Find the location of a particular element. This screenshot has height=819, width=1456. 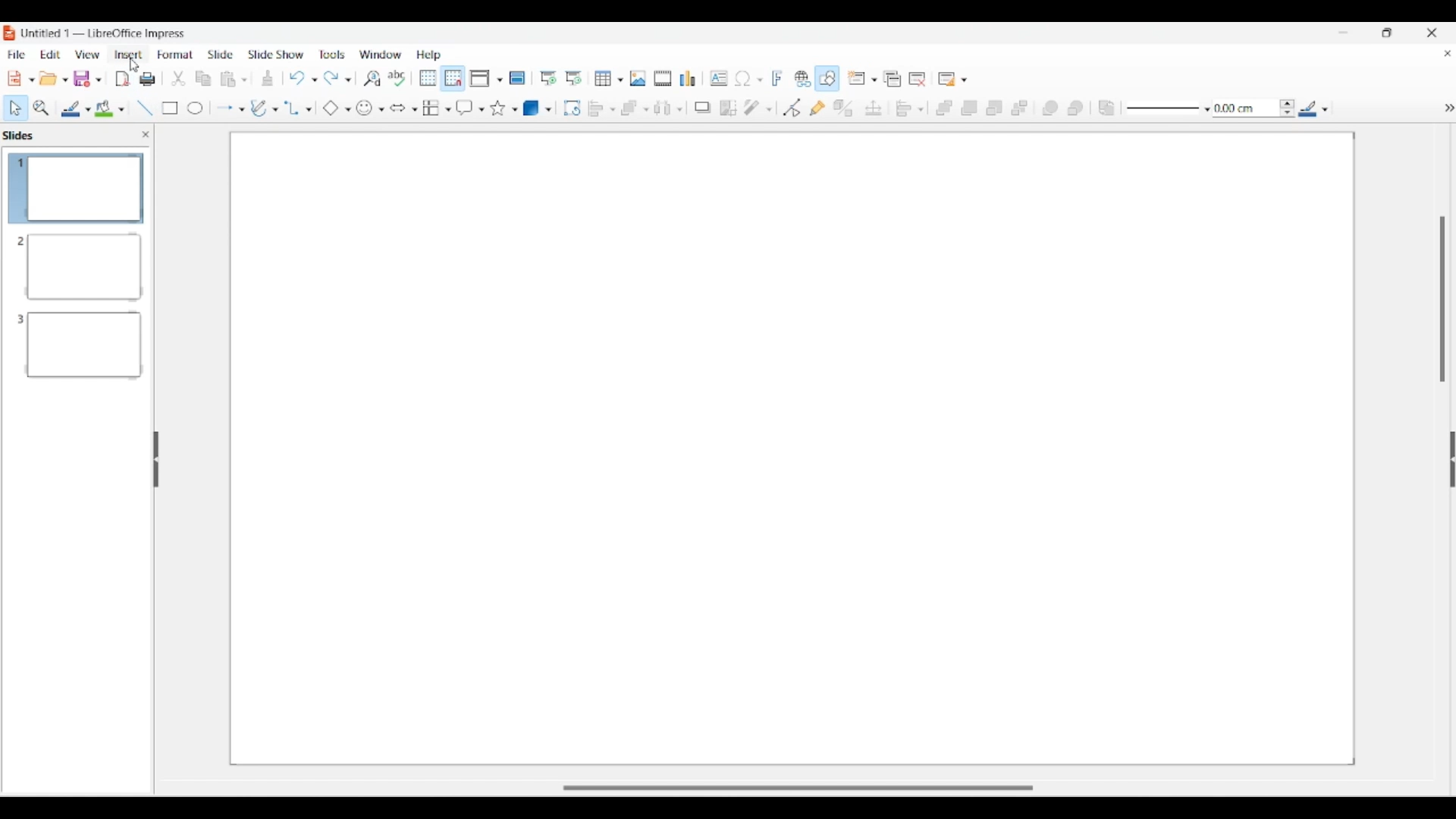

Arrange options is located at coordinates (634, 108).